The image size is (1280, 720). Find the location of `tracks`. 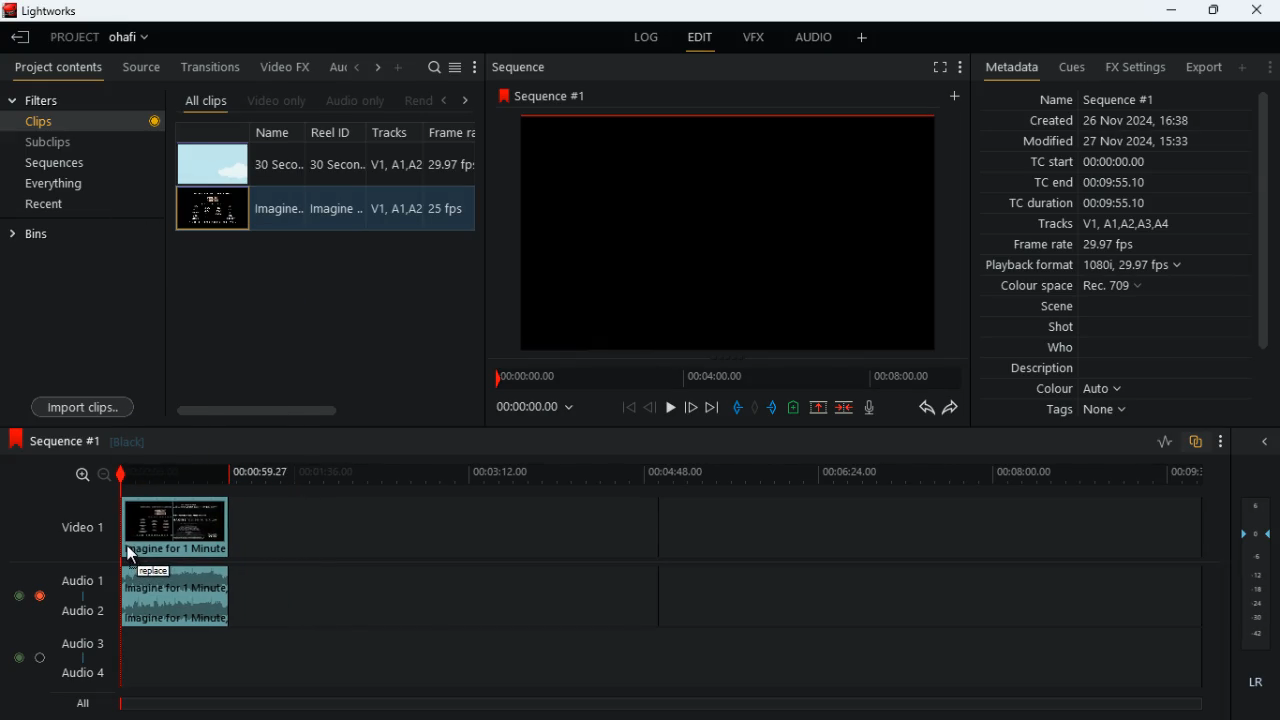

tracks is located at coordinates (1107, 224).